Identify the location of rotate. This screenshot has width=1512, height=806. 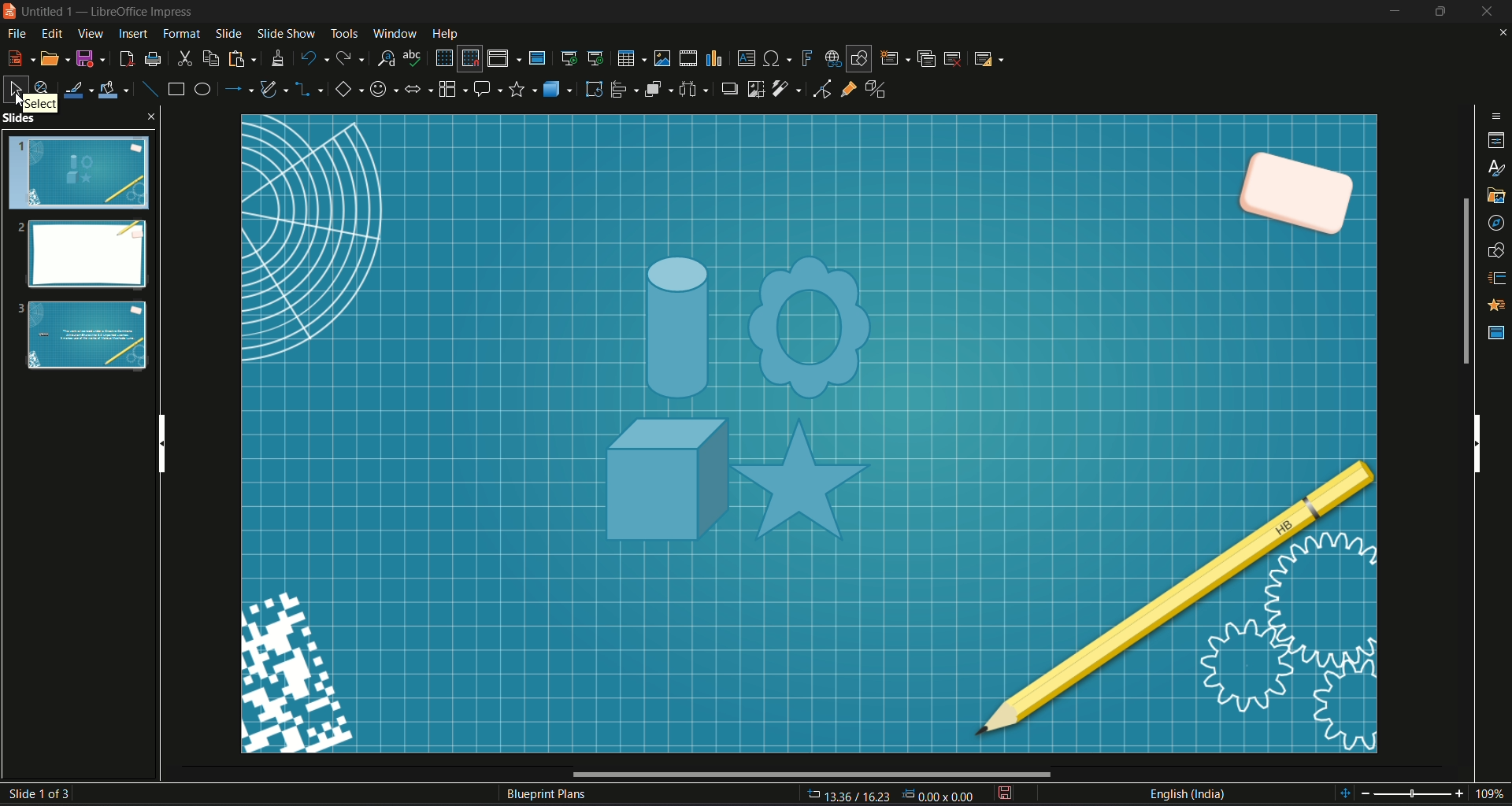
(594, 89).